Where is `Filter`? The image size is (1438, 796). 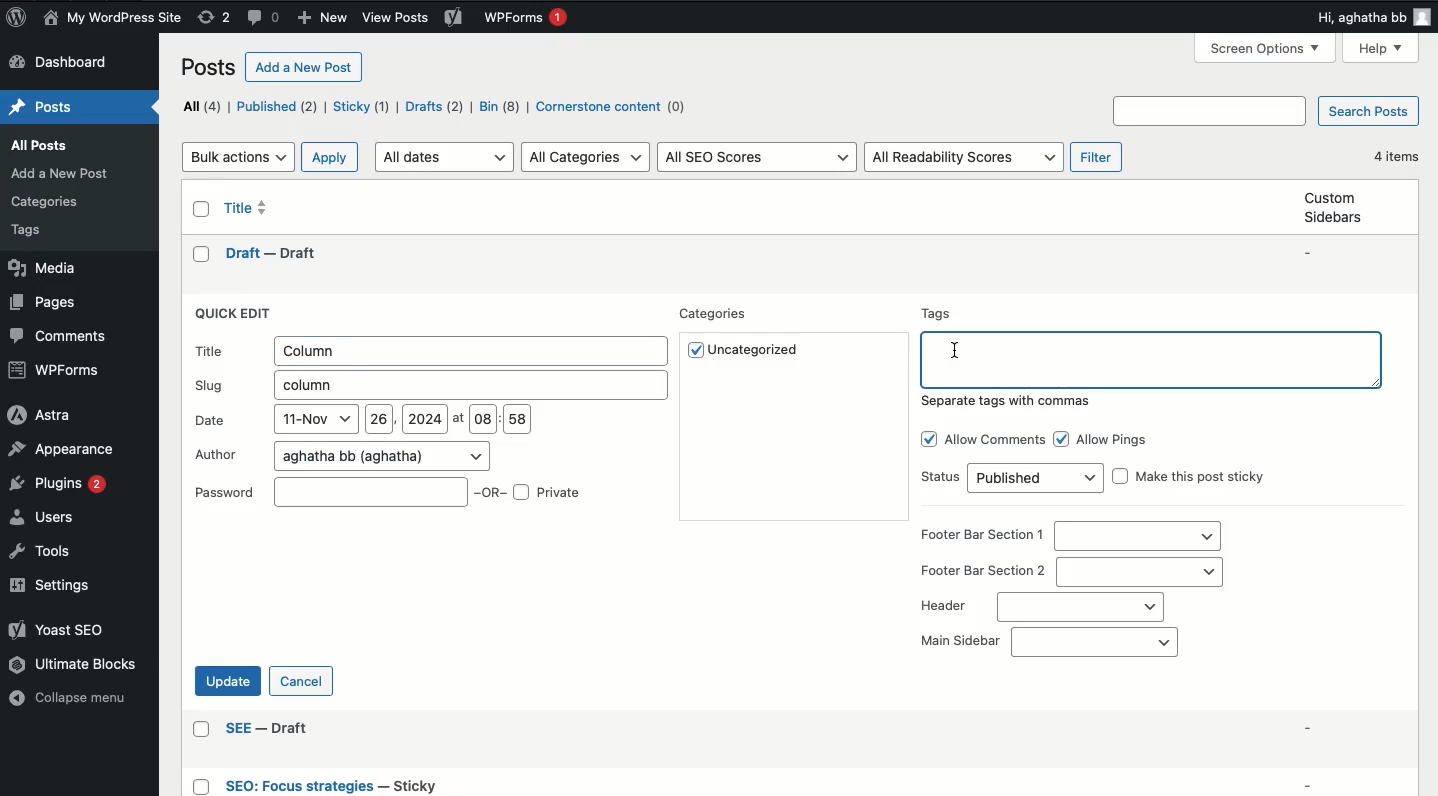 Filter is located at coordinates (1099, 156).